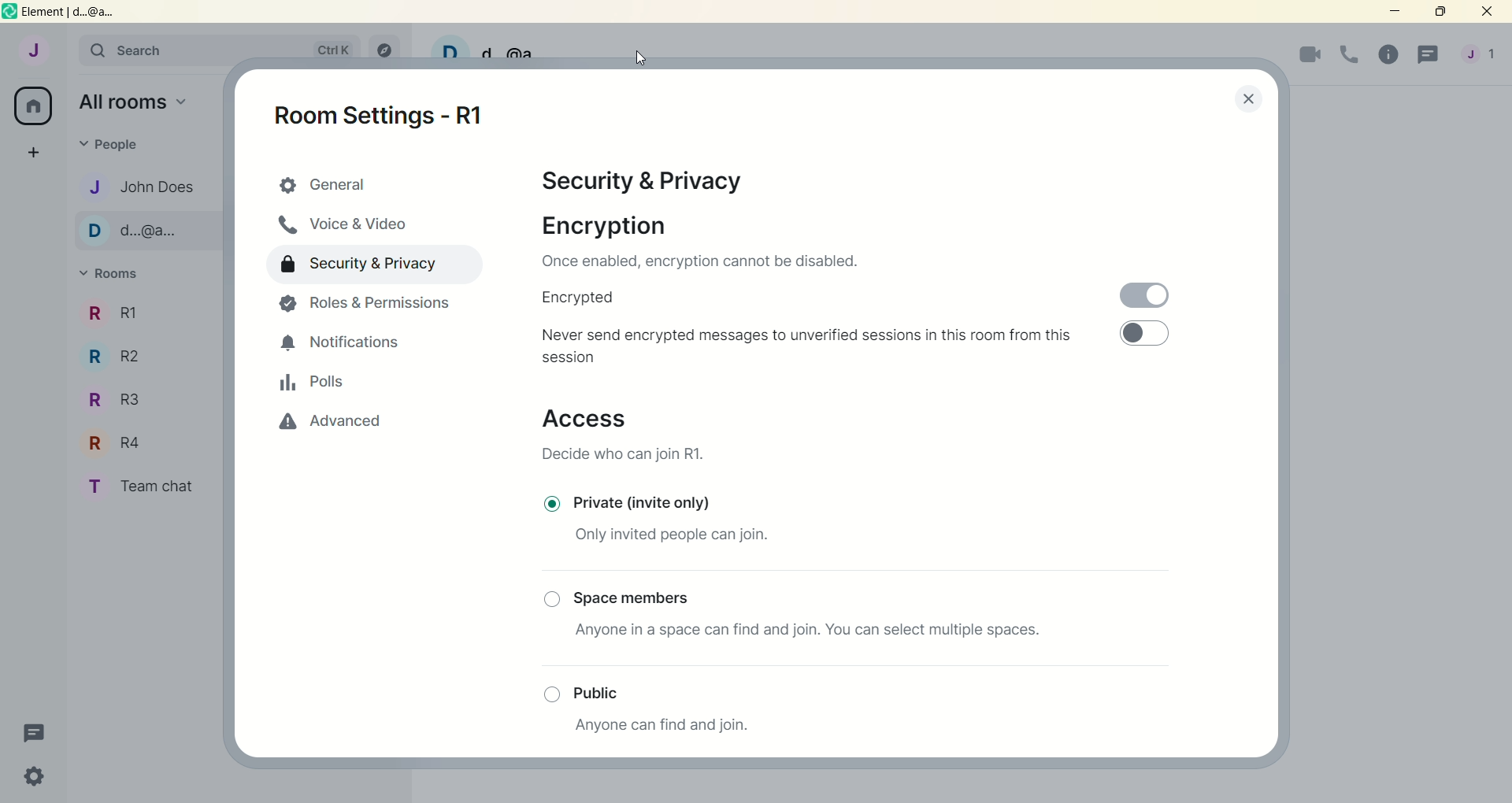 Image resolution: width=1512 pixels, height=803 pixels. Describe the element at coordinates (699, 261) in the screenshot. I see `Once enabled, encryption cannot be disabled.` at that location.